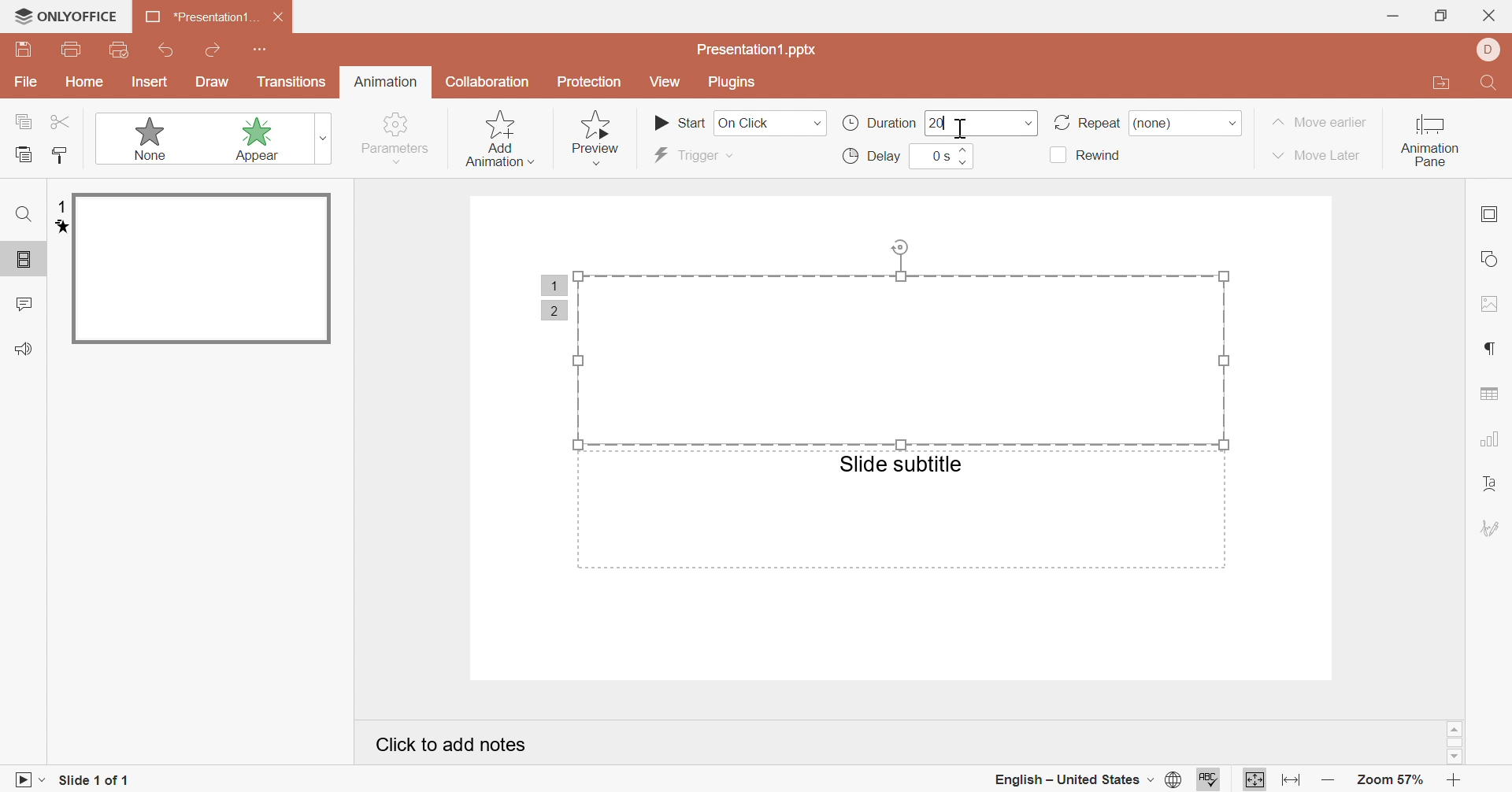  What do you see at coordinates (497, 137) in the screenshot?
I see `add animation` at bounding box center [497, 137].